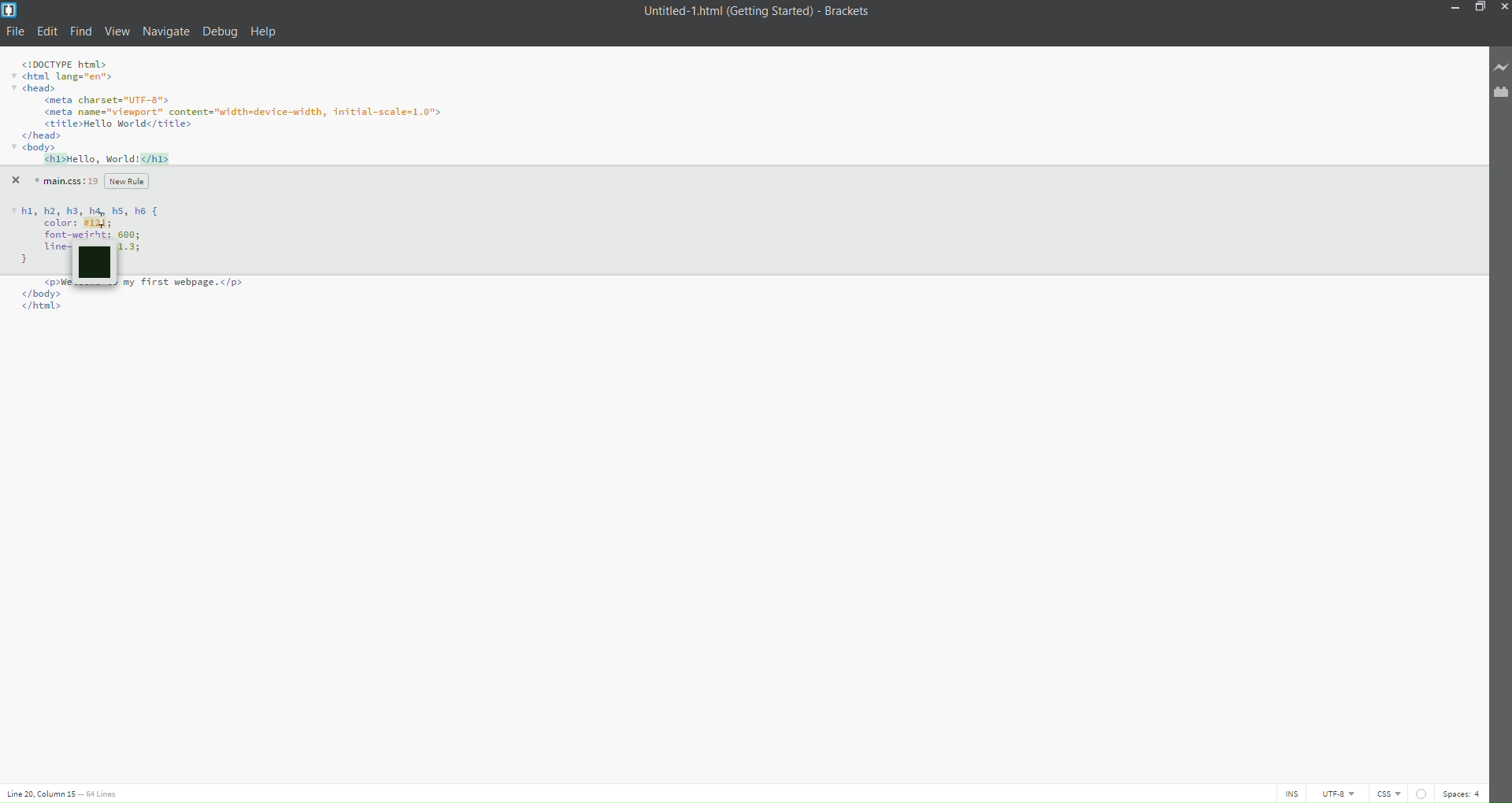  Describe the element at coordinates (166, 29) in the screenshot. I see `navigate` at that location.